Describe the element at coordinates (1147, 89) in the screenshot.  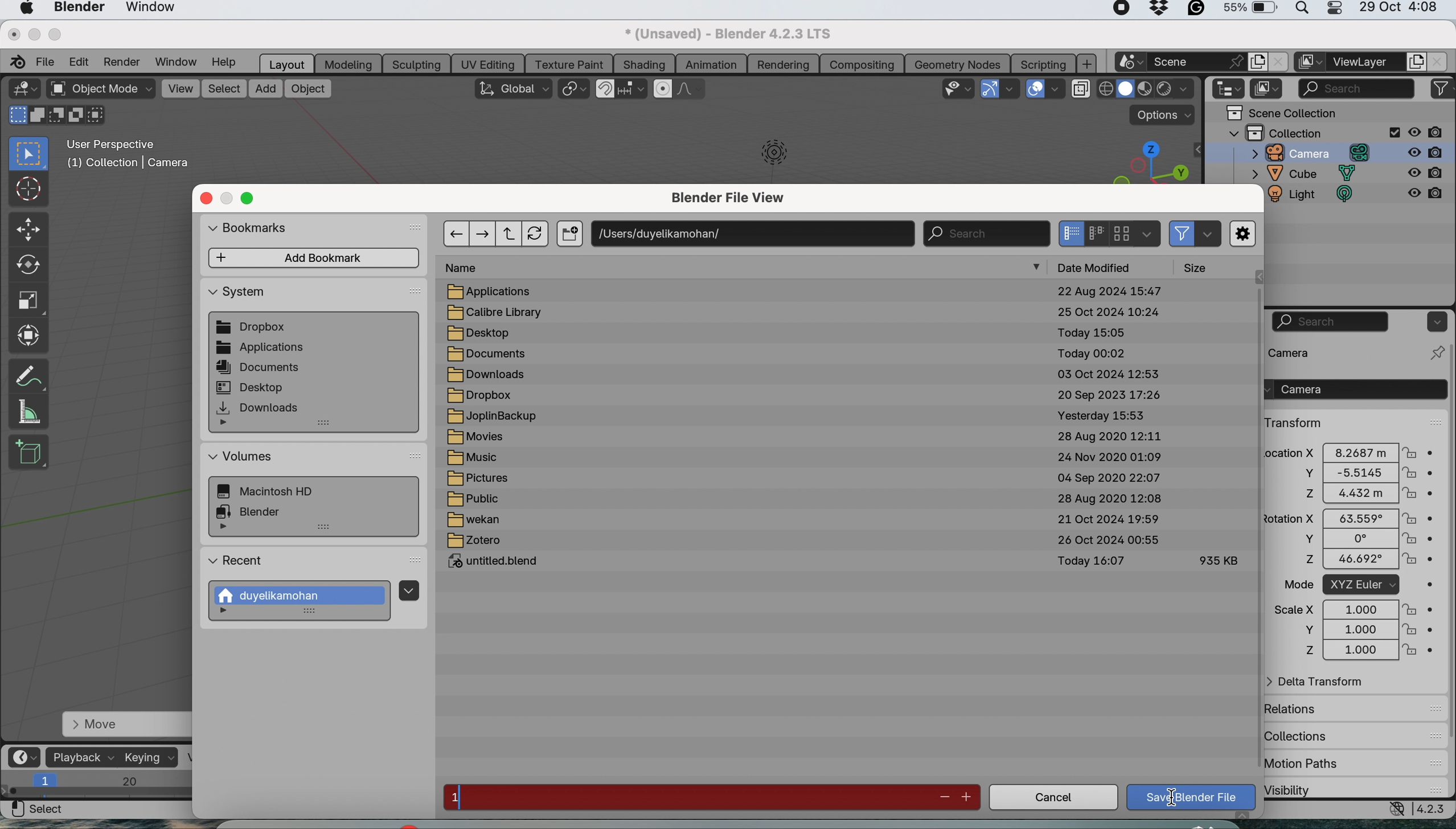
I see `viewport shading` at that location.